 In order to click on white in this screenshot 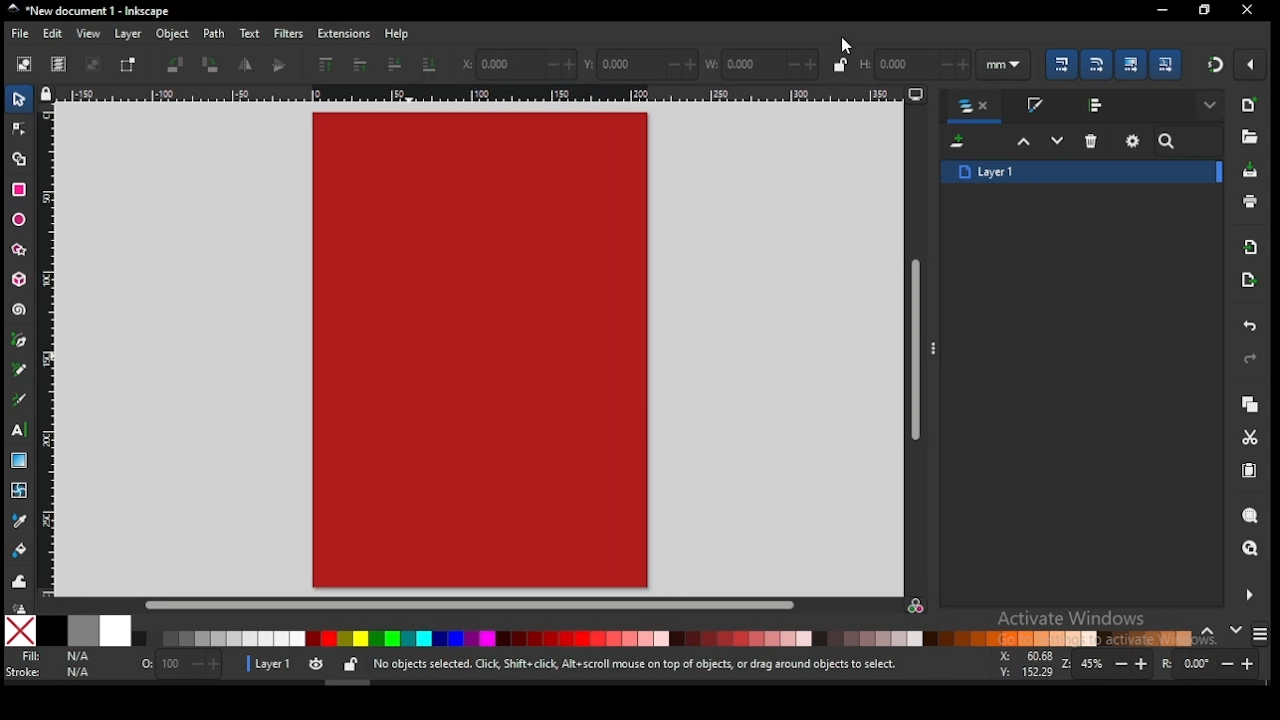, I will do `click(115, 630)`.